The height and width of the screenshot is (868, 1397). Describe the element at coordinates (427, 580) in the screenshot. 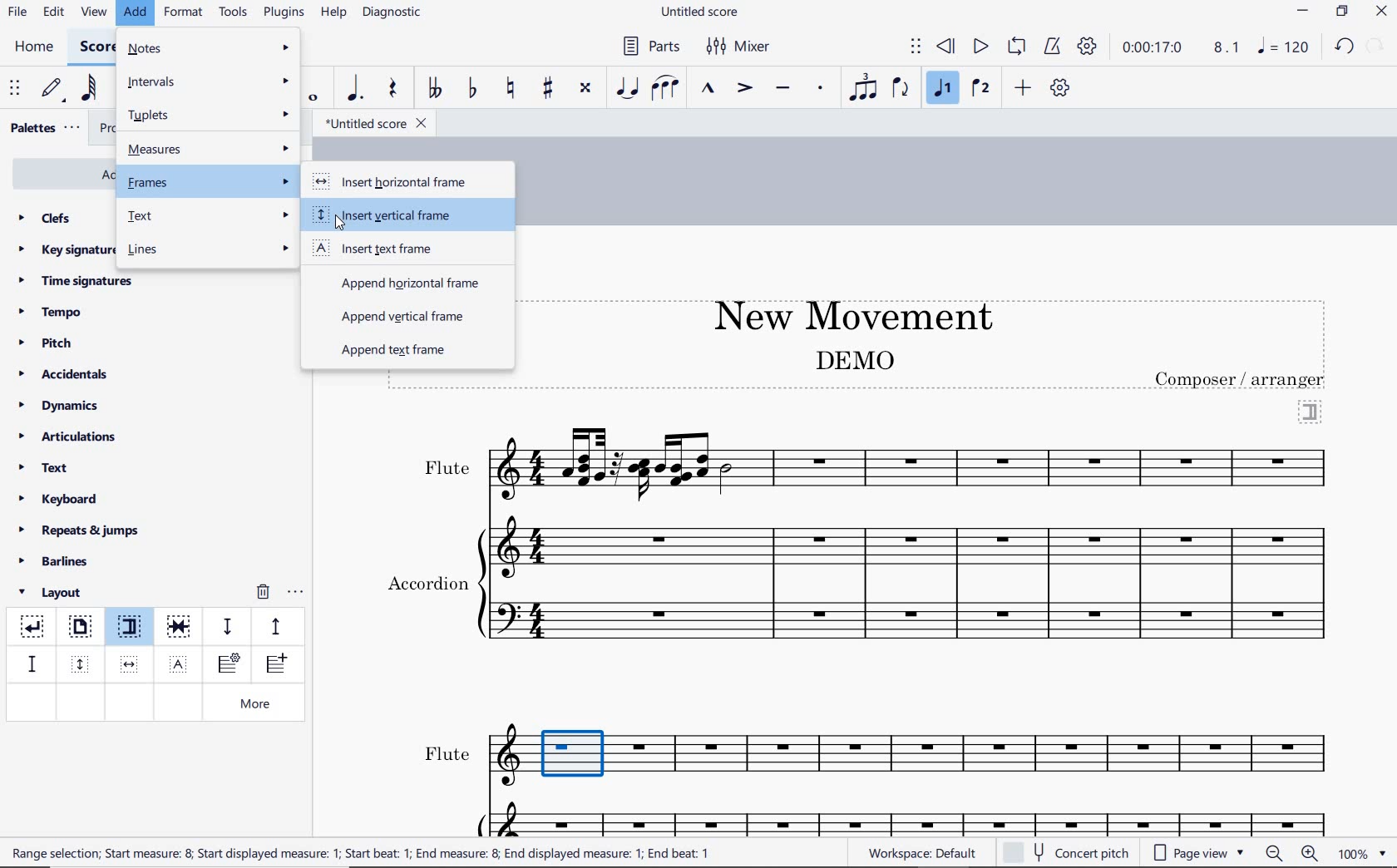

I see `text` at that location.